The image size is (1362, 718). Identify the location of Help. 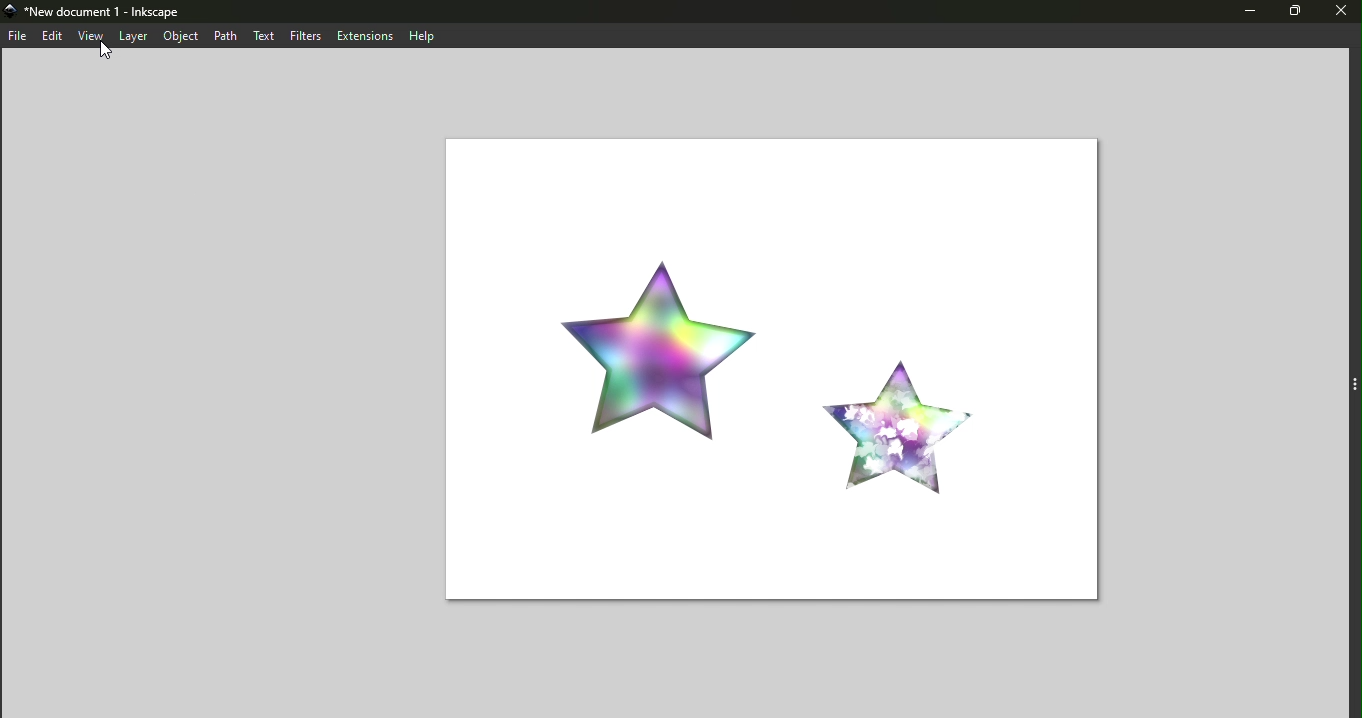
(425, 35).